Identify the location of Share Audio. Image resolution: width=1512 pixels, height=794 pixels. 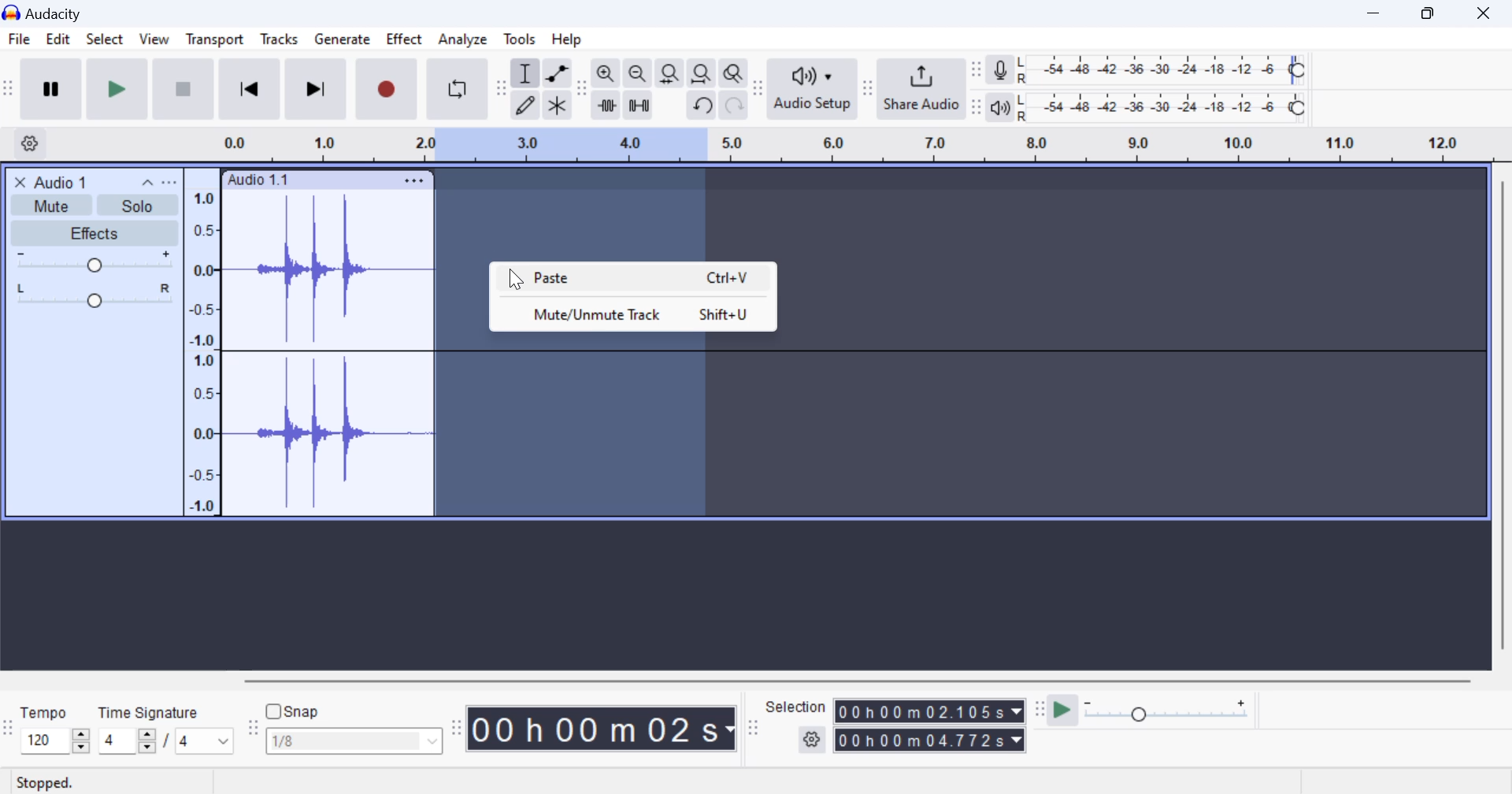
(921, 88).